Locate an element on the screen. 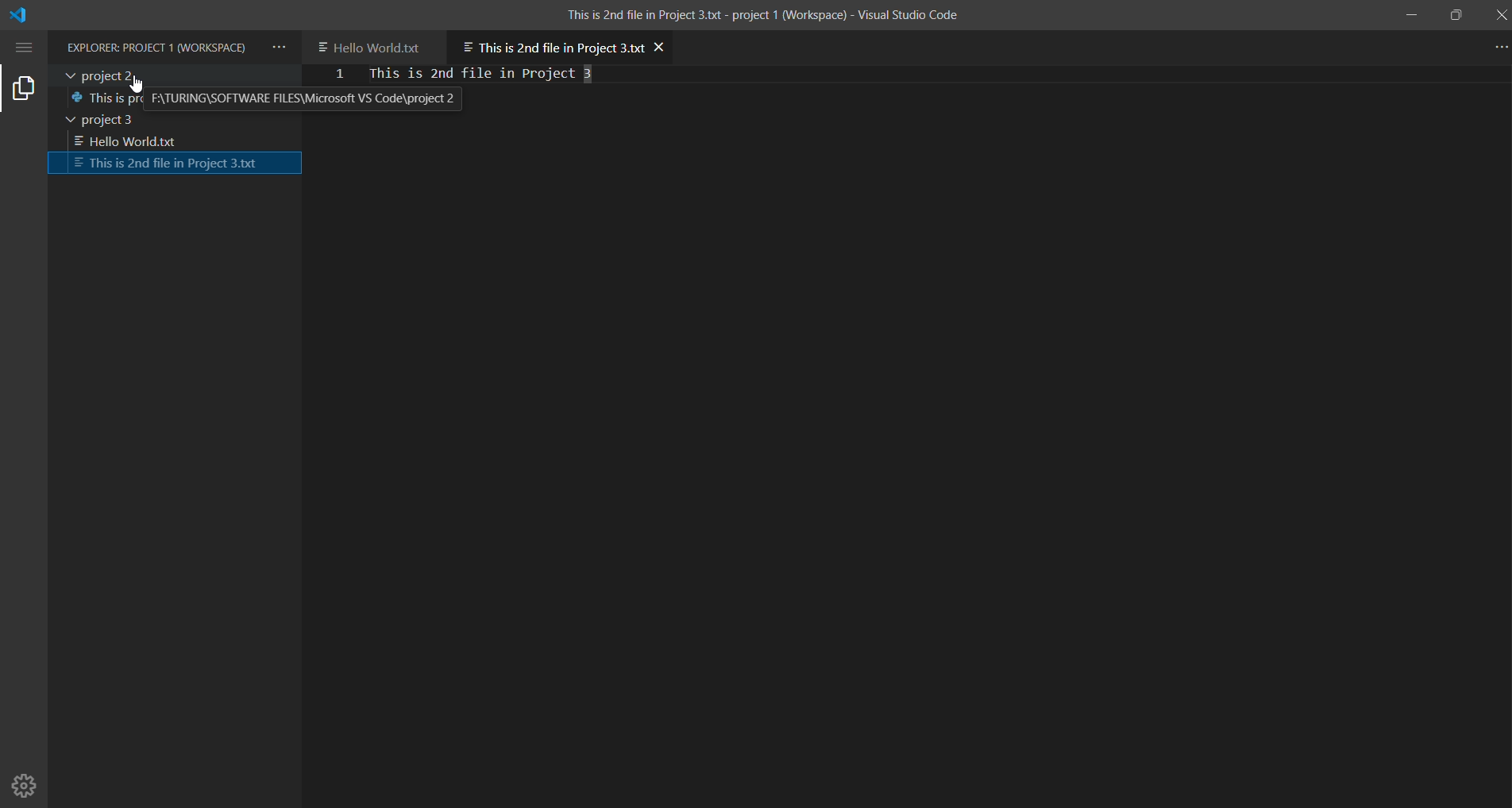 This screenshot has height=808, width=1512. explorer tab is located at coordinates (24, 87).